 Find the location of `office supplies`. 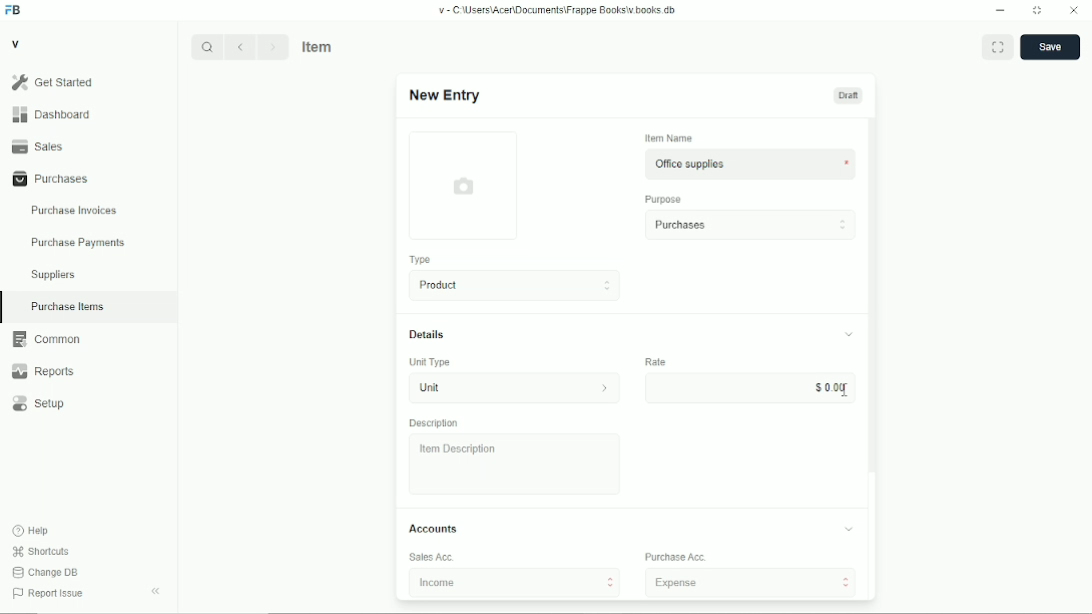

office supplies is located at coordinates (734, 164).